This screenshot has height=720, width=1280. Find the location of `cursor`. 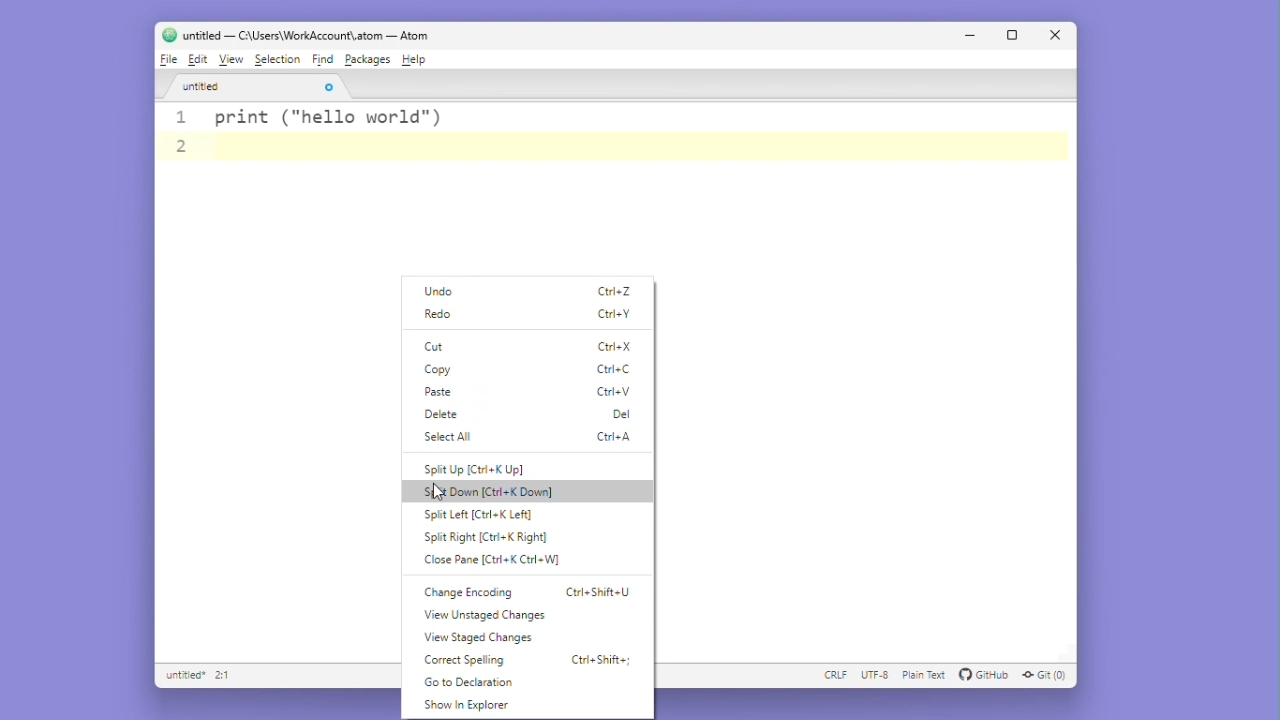

cursor is located at coordinates (437, 494).